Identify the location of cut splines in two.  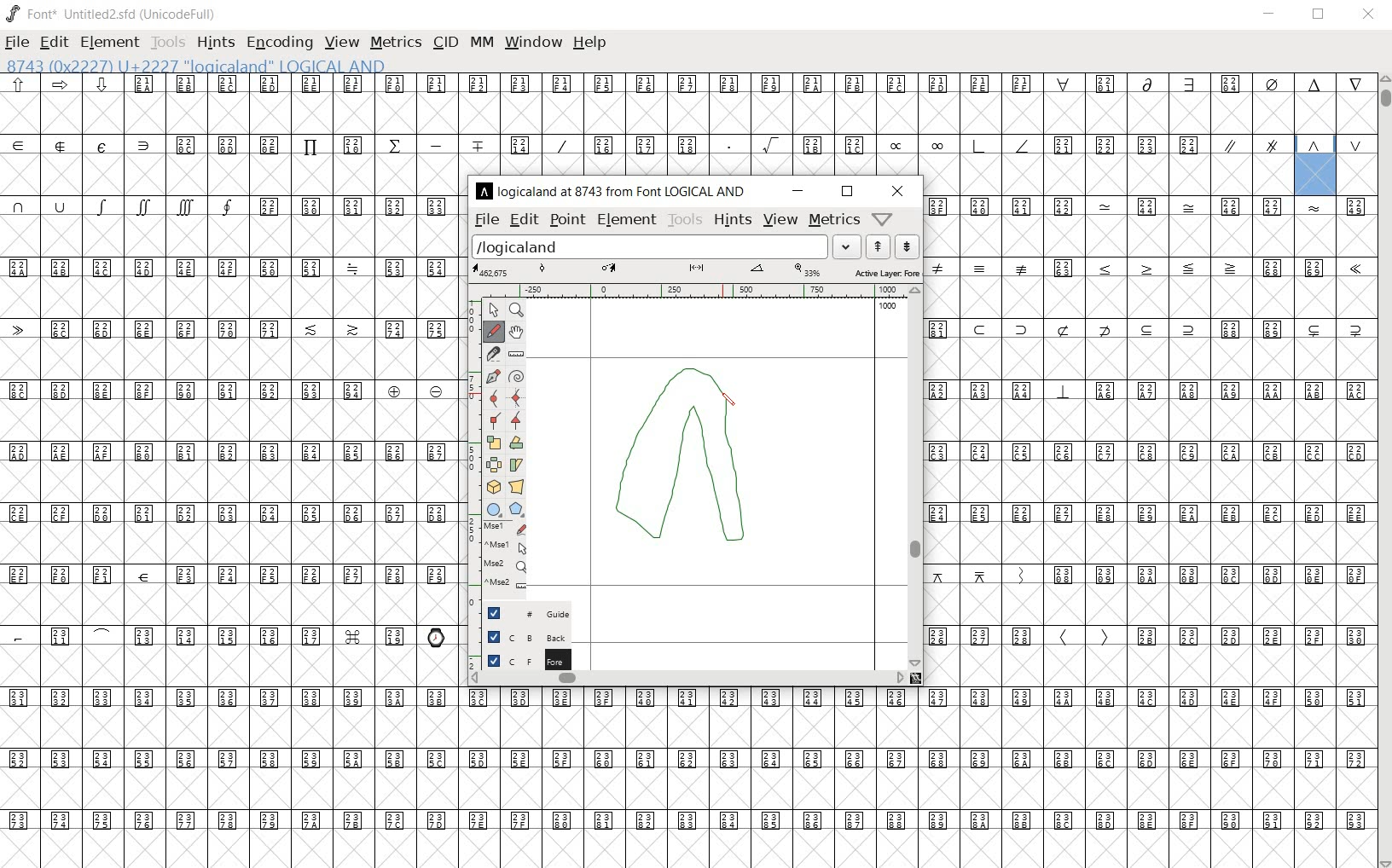
(493, 353).